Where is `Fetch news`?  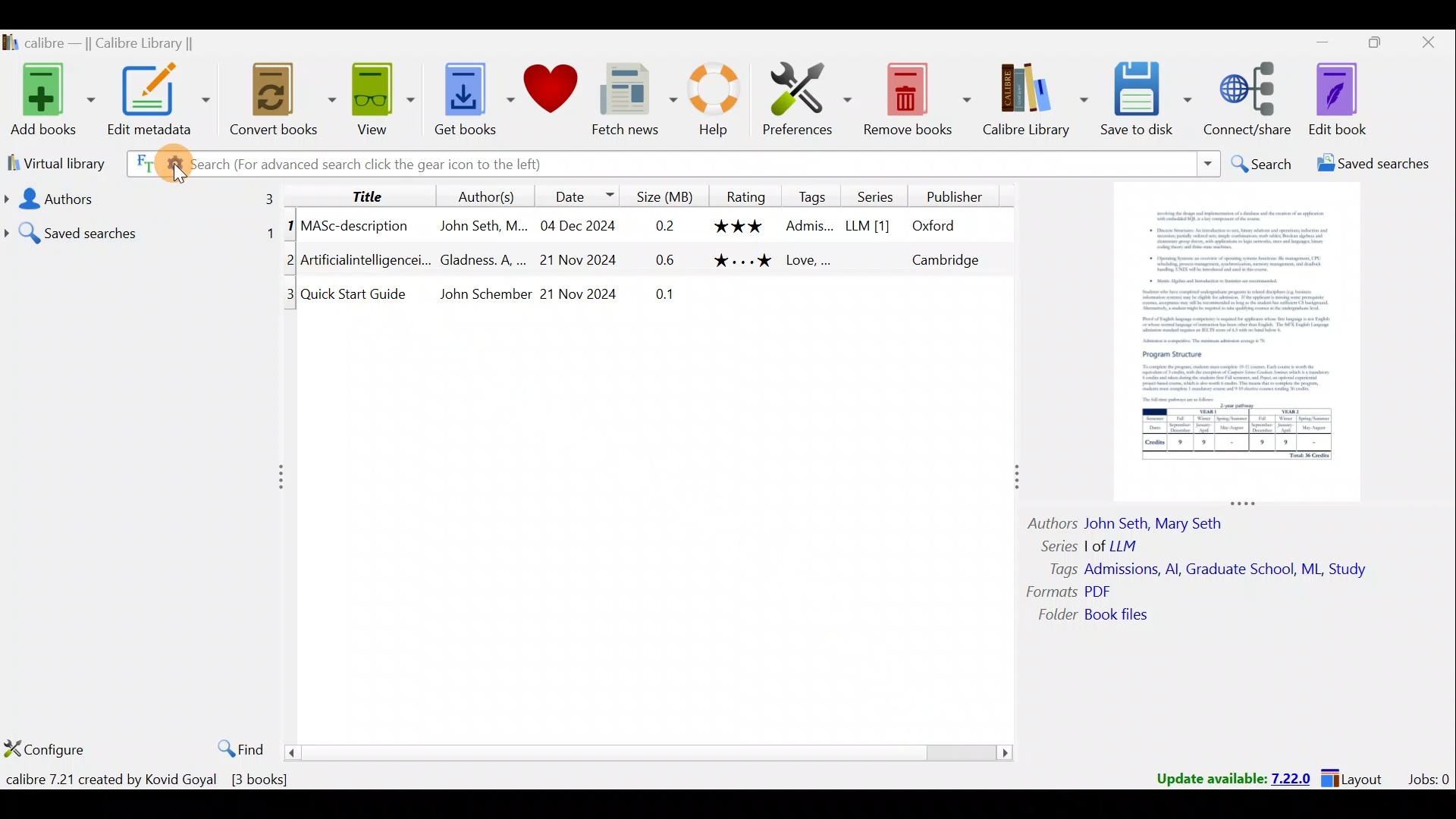
Fetch news is located at coordinates (634, 100).